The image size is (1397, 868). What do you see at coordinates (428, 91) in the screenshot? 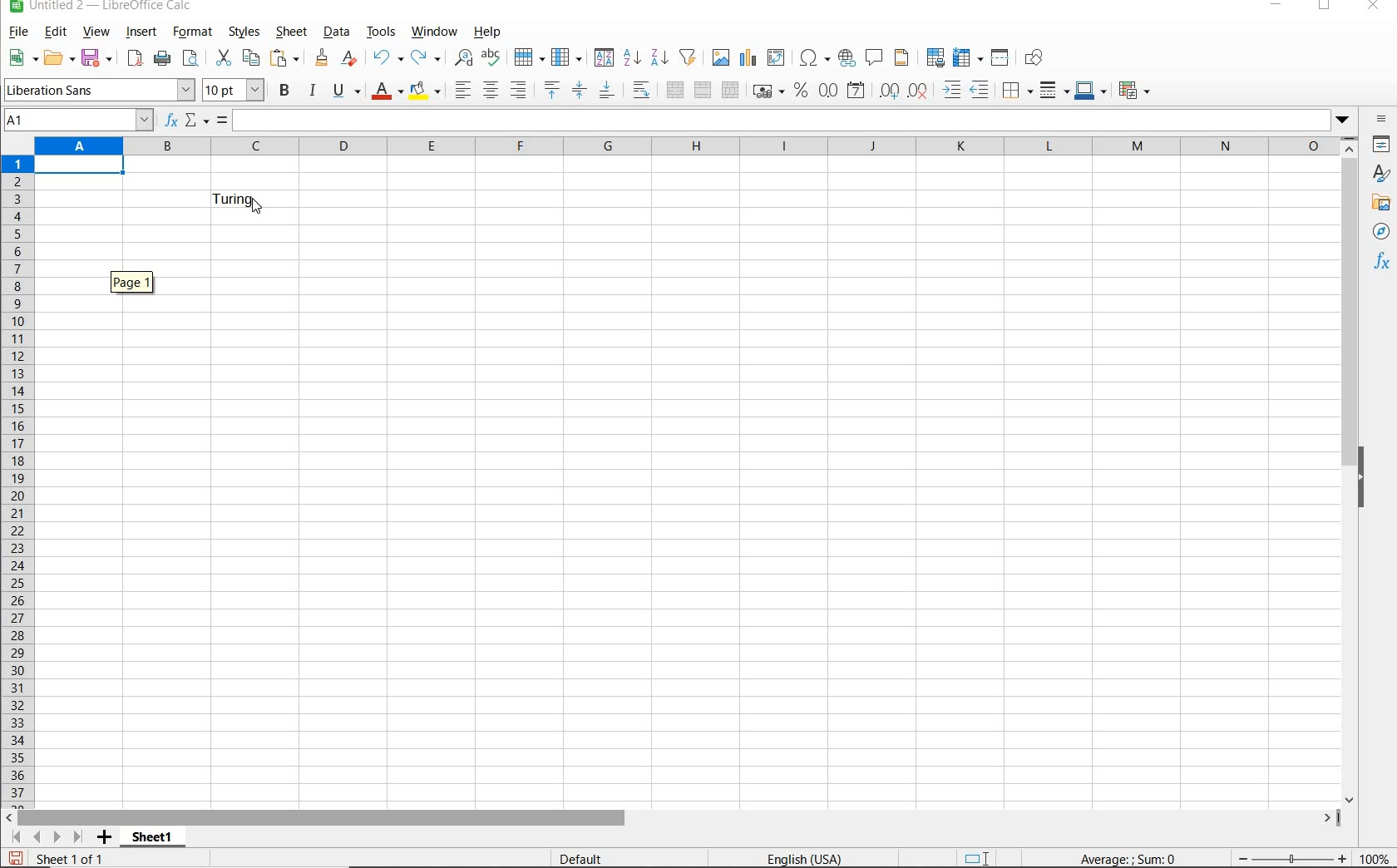
I see `BACKGROUND COLOR` at bounding box center [428, 91].